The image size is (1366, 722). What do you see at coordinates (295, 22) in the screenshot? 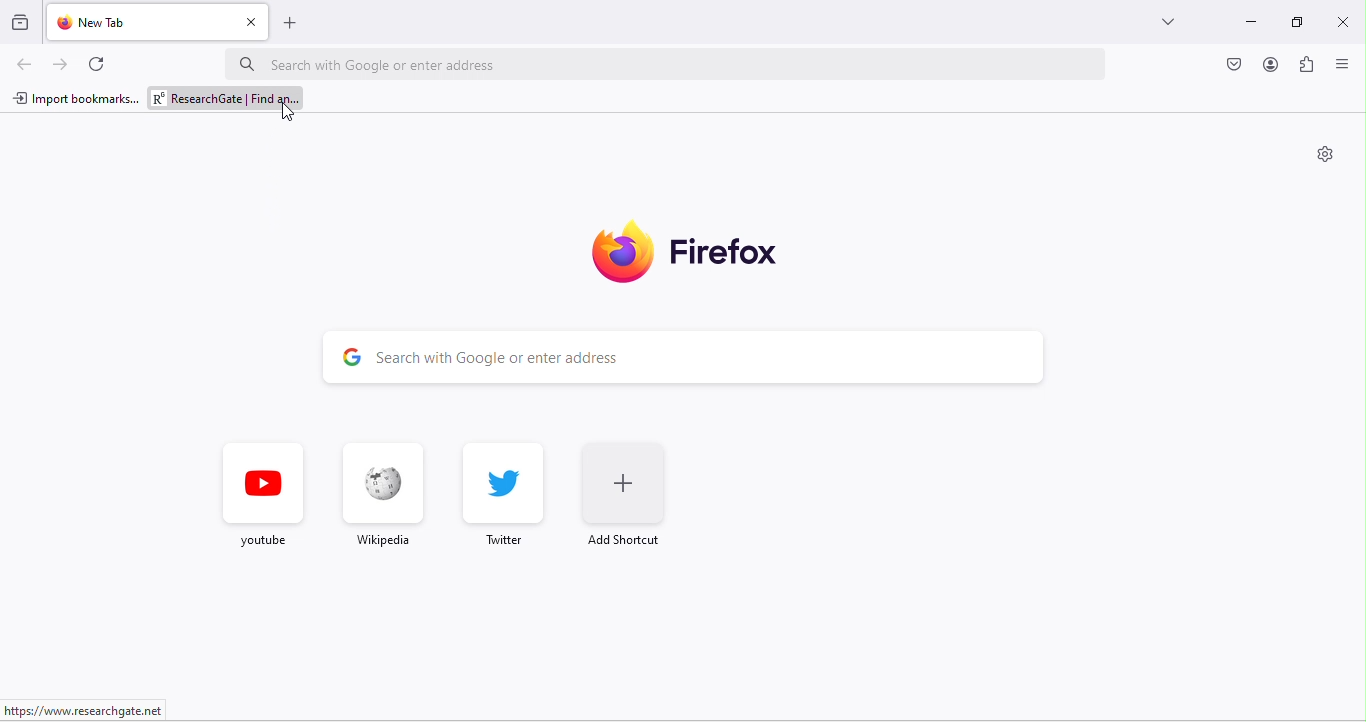
I see `add` at bounding box center [295, 22].